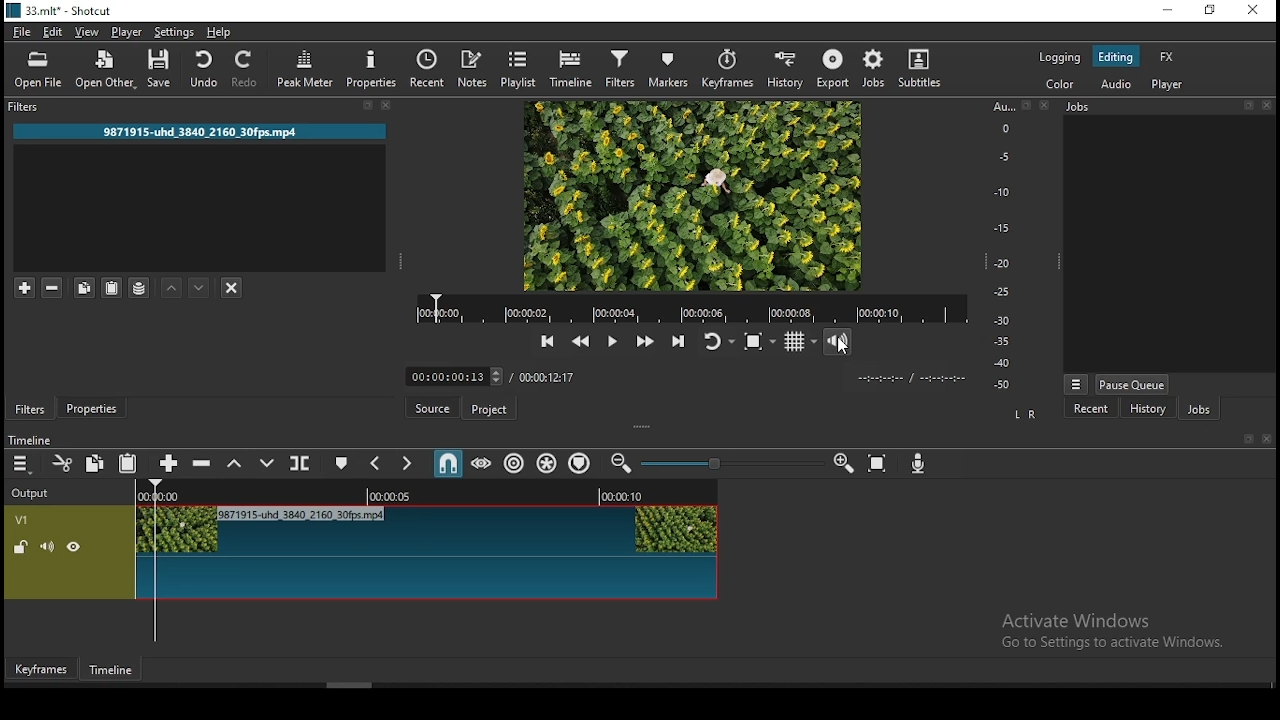 Image resolution: width=1280 pixels, height=720 pixels. Describe the element at coordinates (201, 288) in the screenshot. I see `move filter down` at that location.